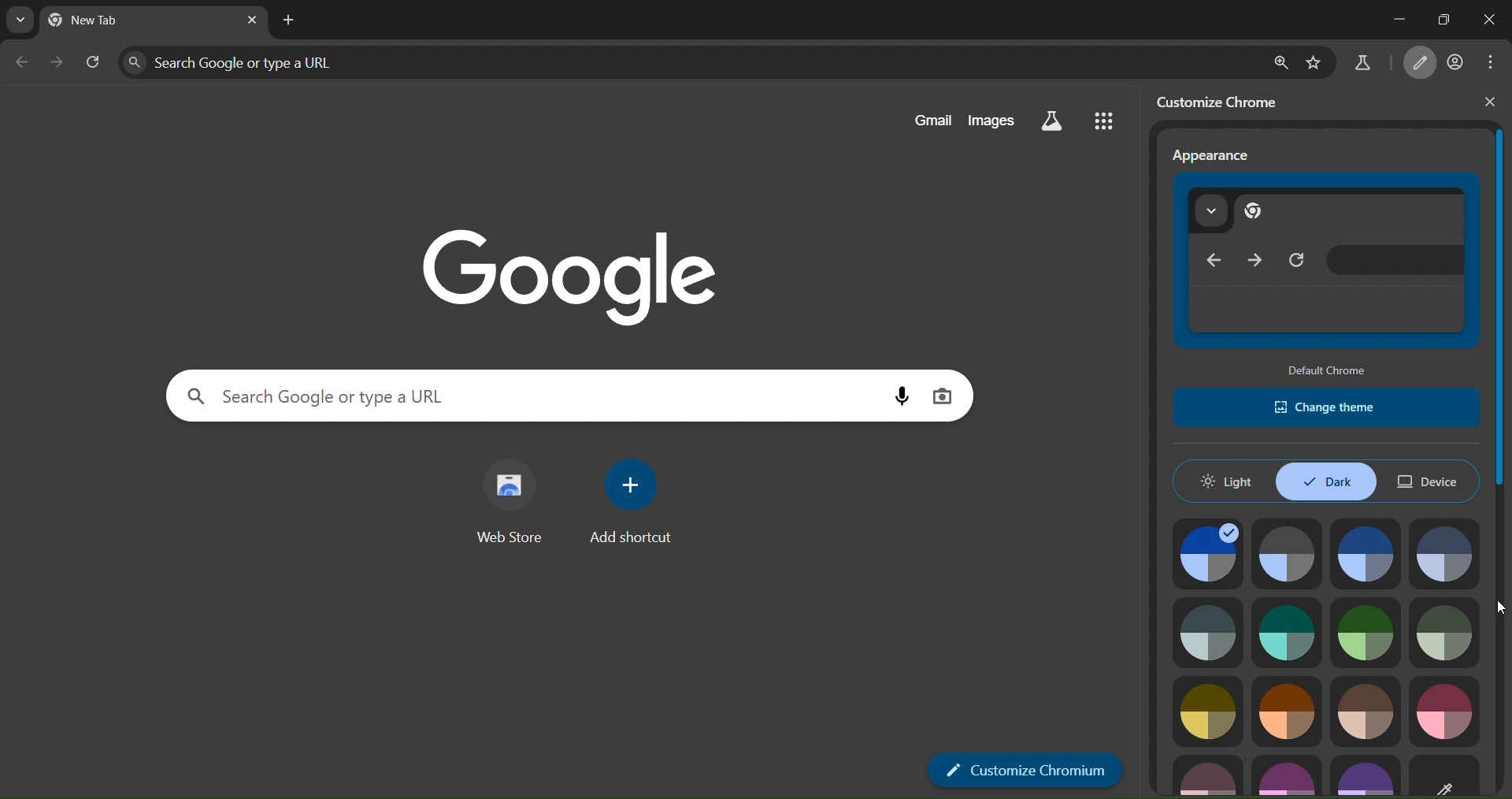 The height and width of the screenshot is (799, 1512). I want to click on theme, so click(1208, 713).